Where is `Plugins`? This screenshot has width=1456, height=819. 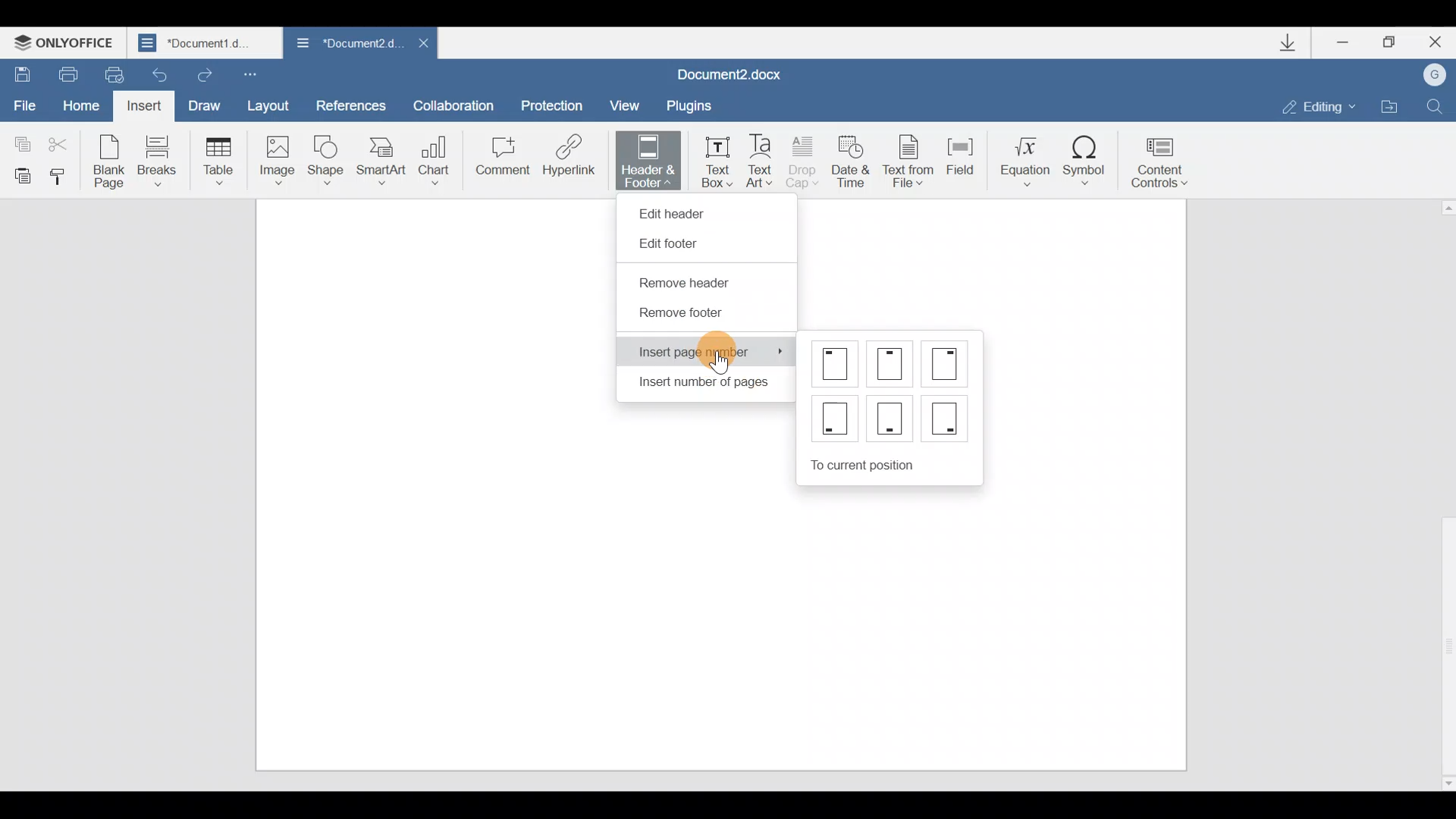 Plugins is located at coordinates (701, 103).